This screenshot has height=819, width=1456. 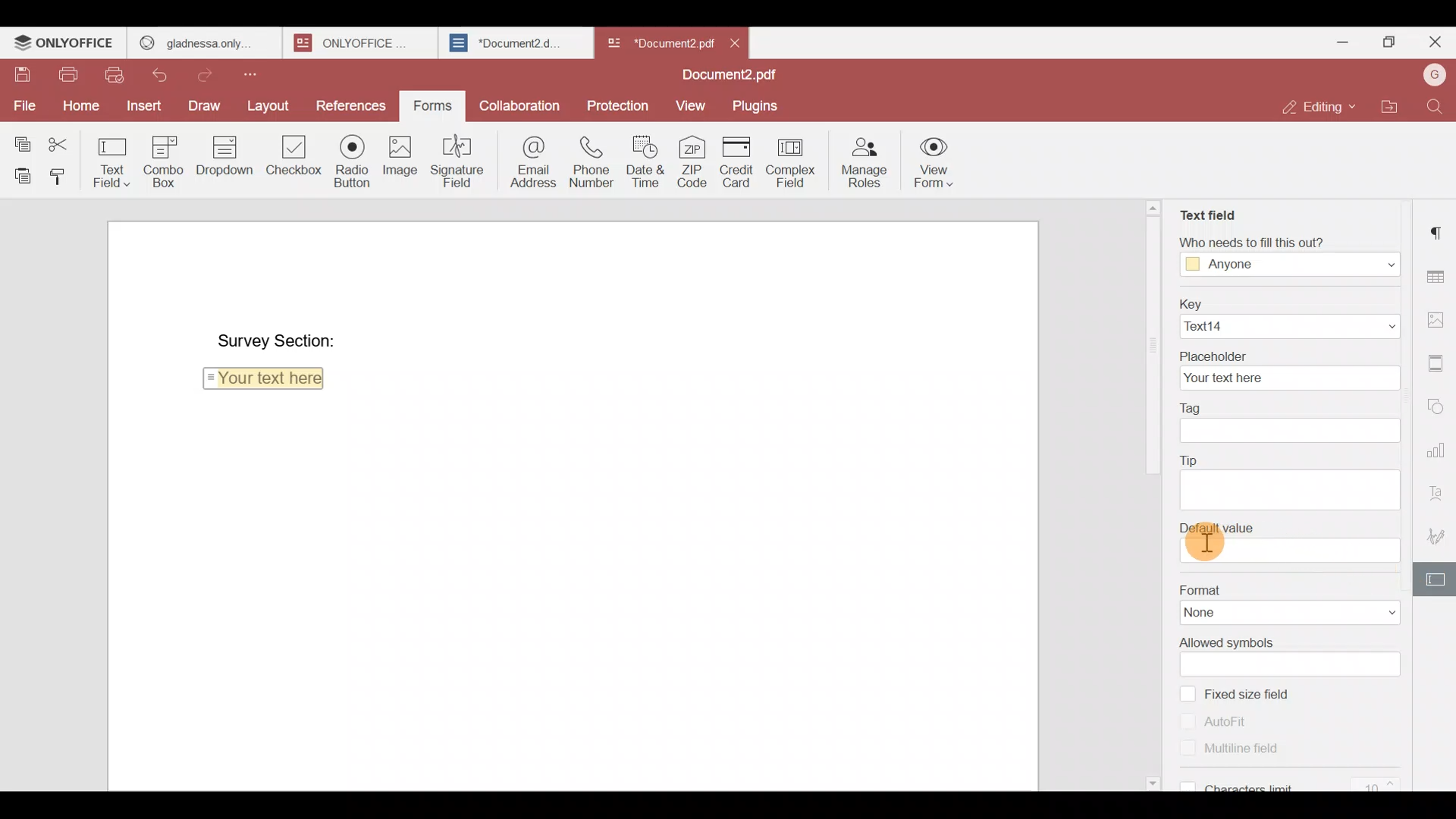 I want to click on Draw, so click(x=204, y=105).